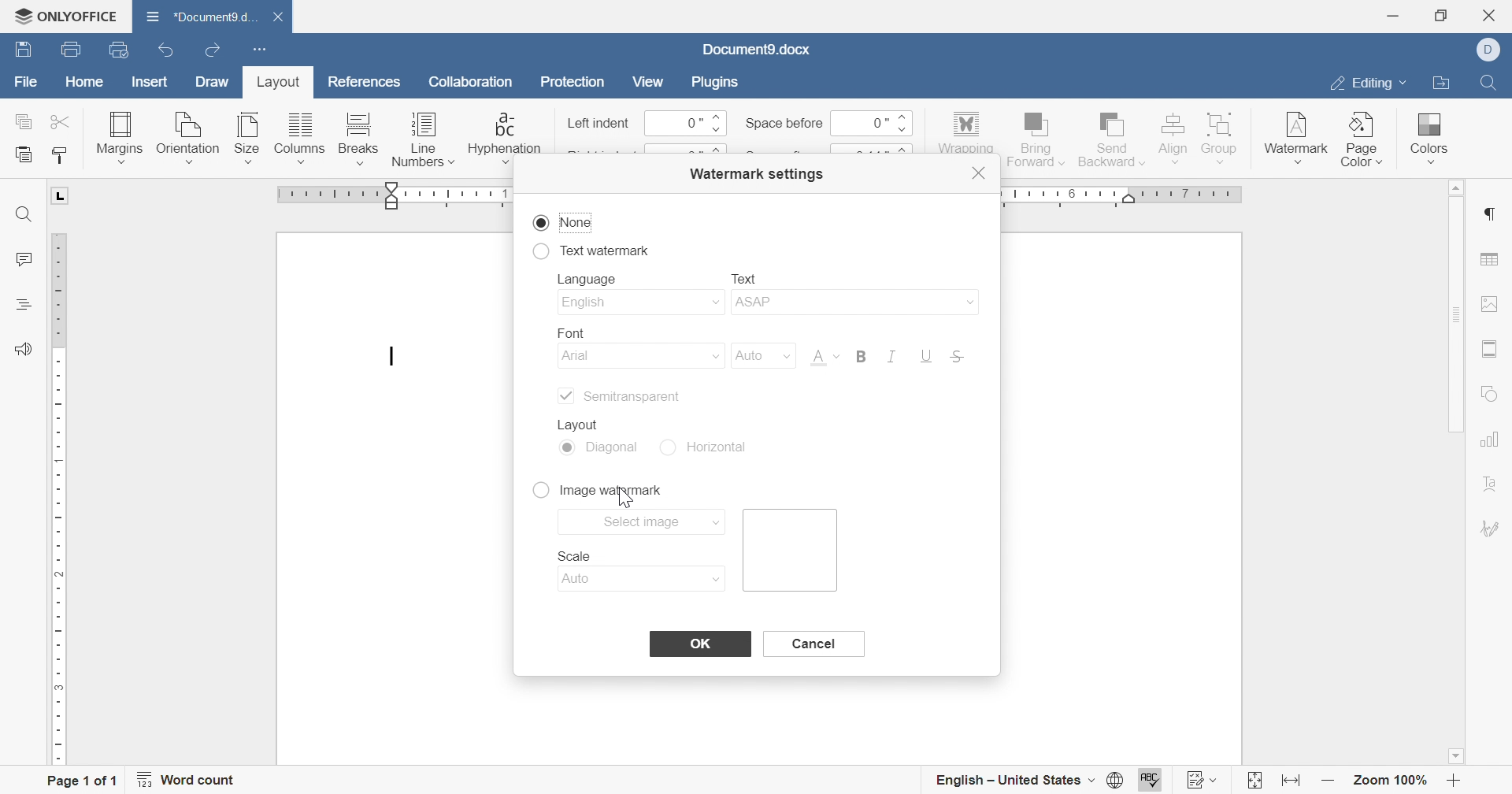 This screenshot has height=794, width=1512. What do you see at coordinates (126, 51) in the screenshot?
I see `quick print` at bounding box center [126, 51].